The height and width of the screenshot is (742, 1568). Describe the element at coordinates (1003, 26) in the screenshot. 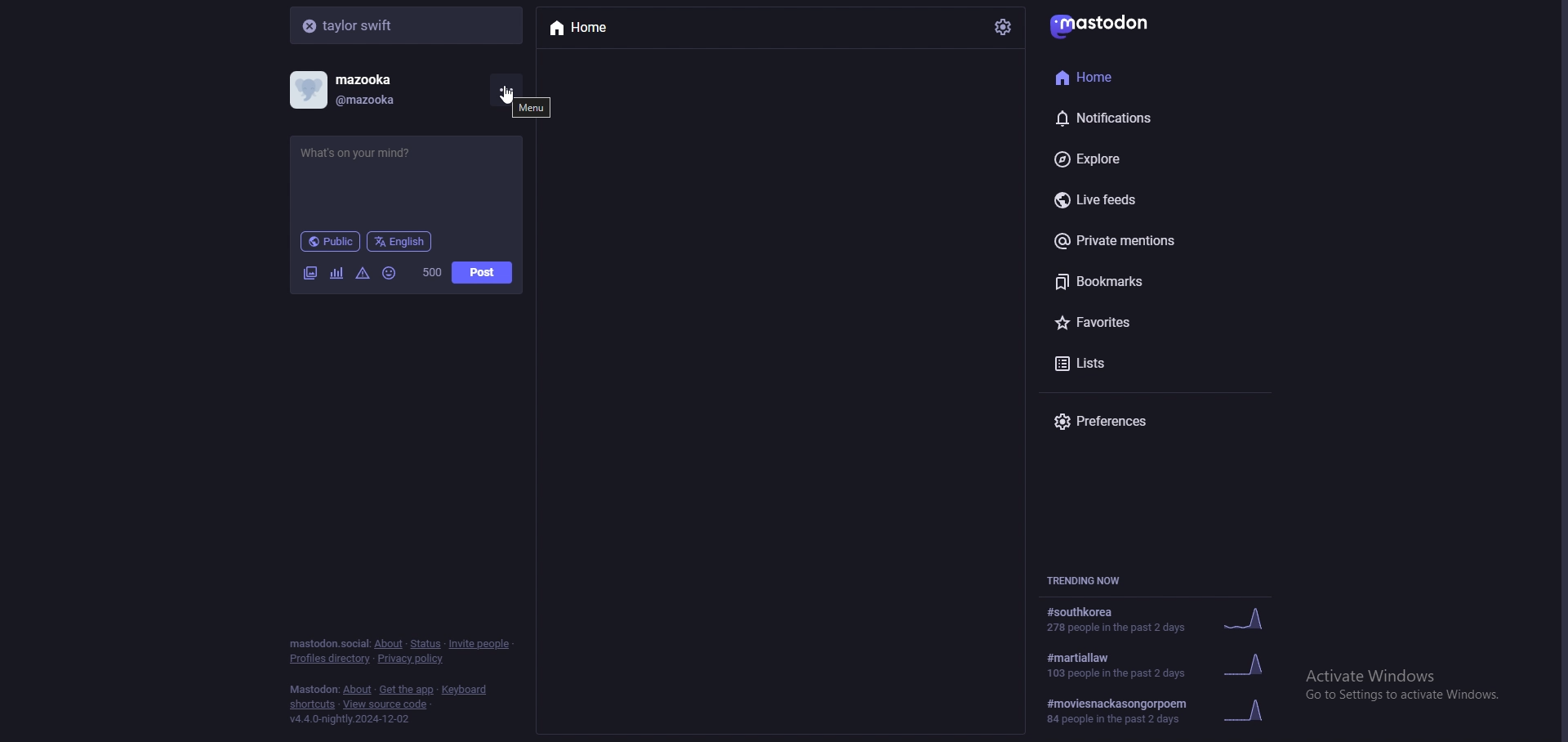

I see `settings` at that location.